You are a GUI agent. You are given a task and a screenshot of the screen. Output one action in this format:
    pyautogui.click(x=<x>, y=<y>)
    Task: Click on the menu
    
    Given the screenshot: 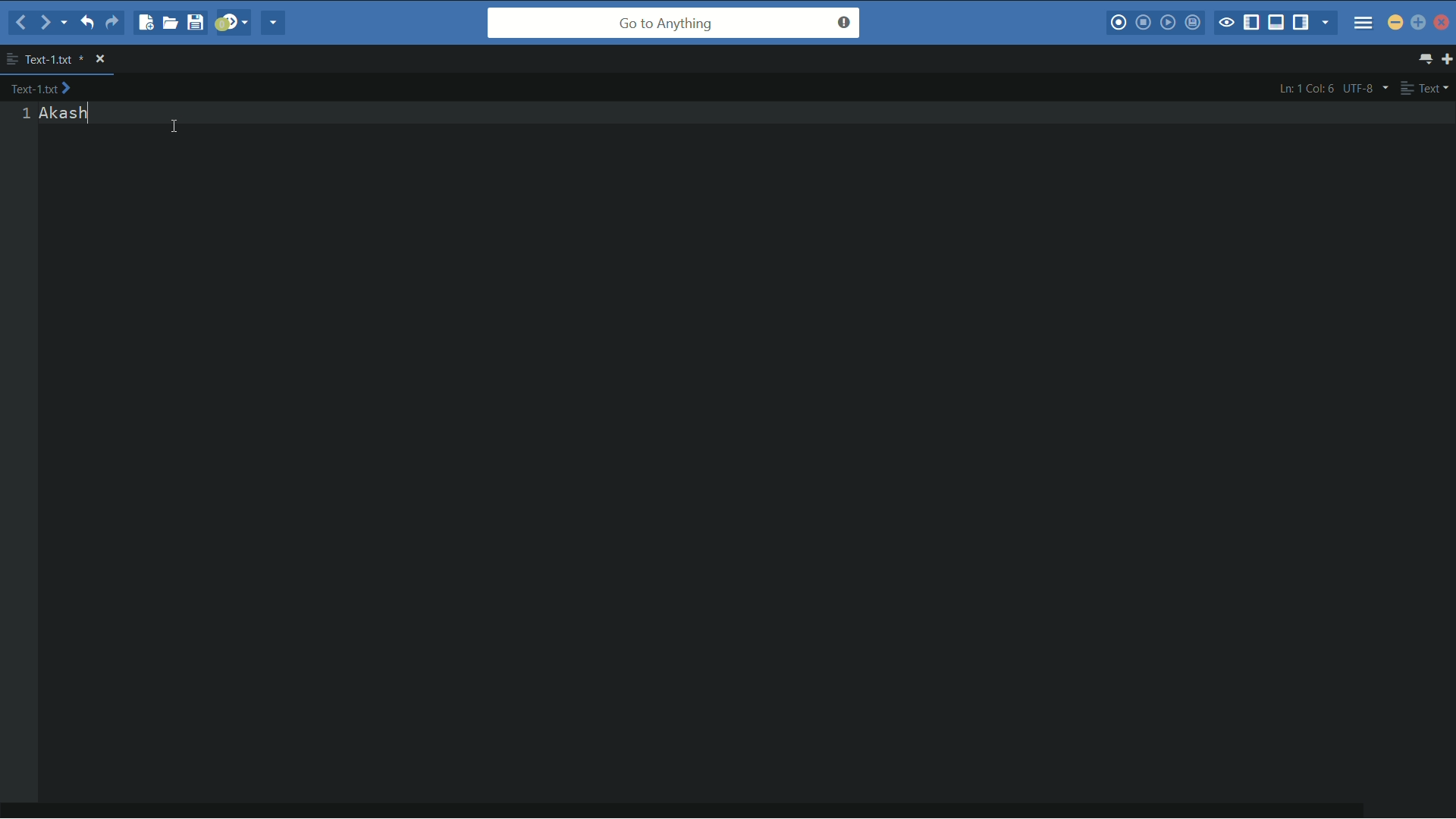 What is the action you would take?
    pyautogui.click(x=1363, y=22)
    